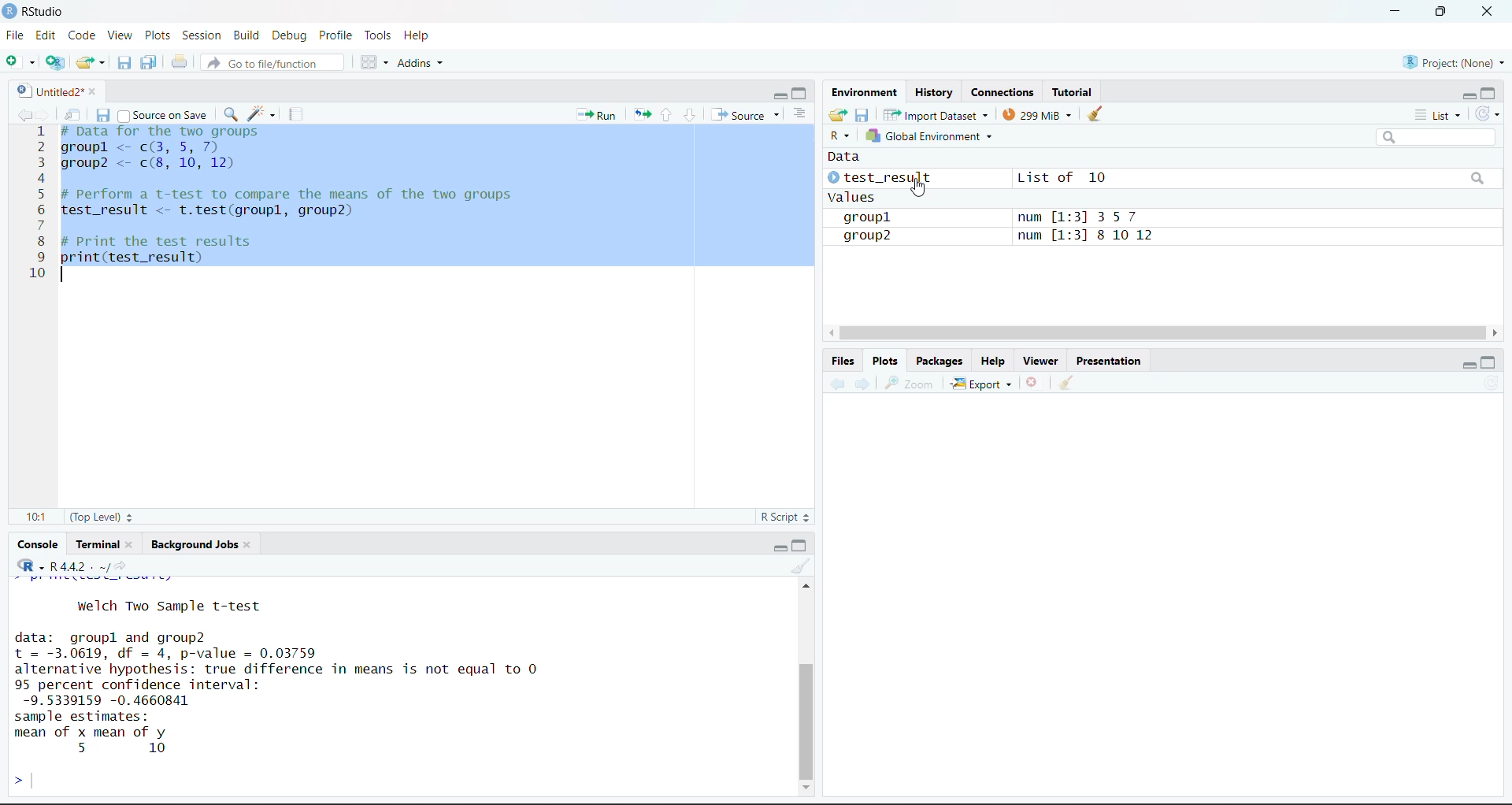 Image resolution: width=1512 pixels, height=805 pixels. What do you see at coordinates (103, 567) in the screenshot?
I see `.~/` at bounding box center [103, 567].